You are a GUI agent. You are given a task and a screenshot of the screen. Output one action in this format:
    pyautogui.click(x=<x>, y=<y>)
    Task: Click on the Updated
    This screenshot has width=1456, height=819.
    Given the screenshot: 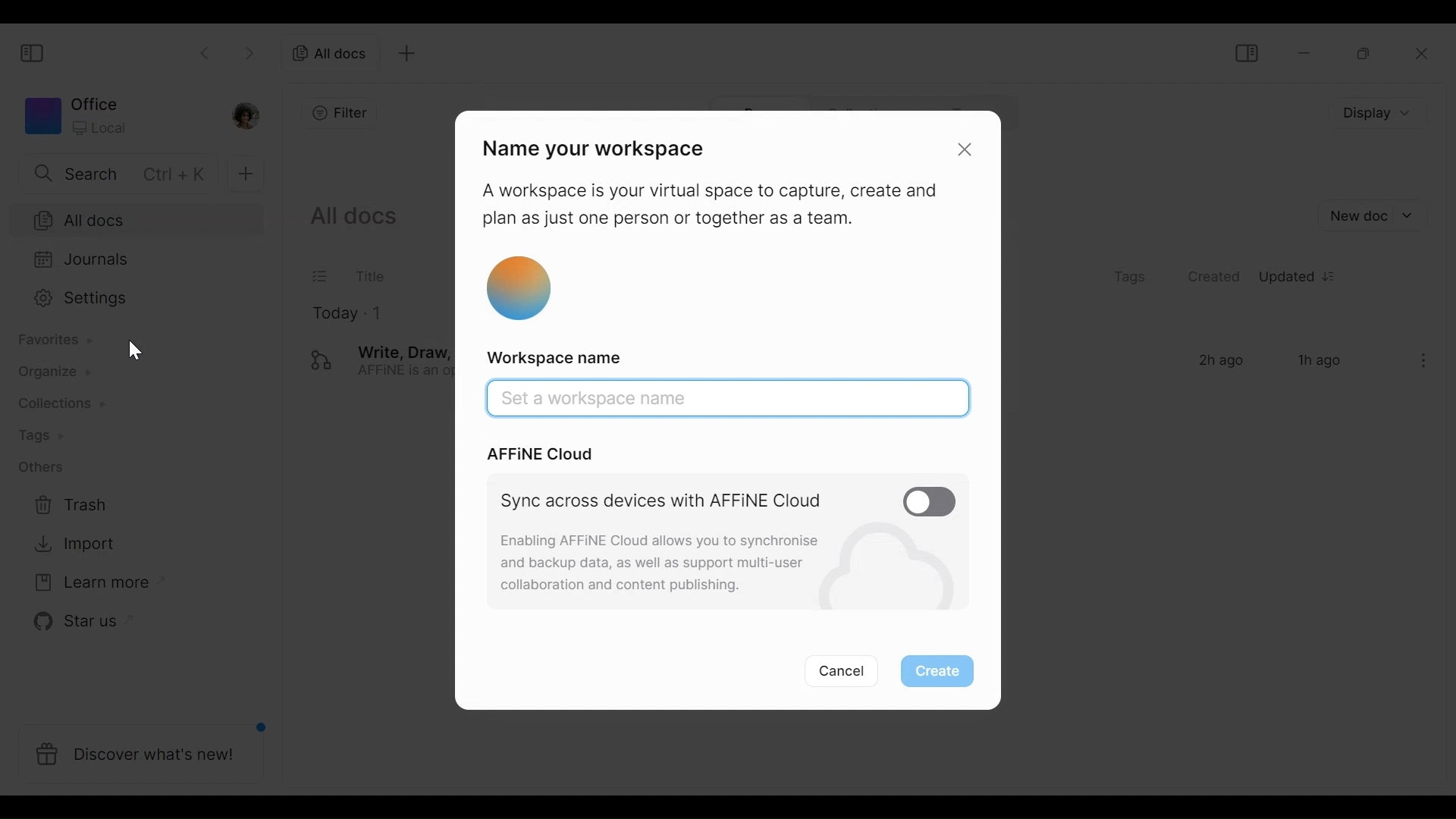 What is the action you would take?
    pyautogui.click(x=1301, y=278)
    